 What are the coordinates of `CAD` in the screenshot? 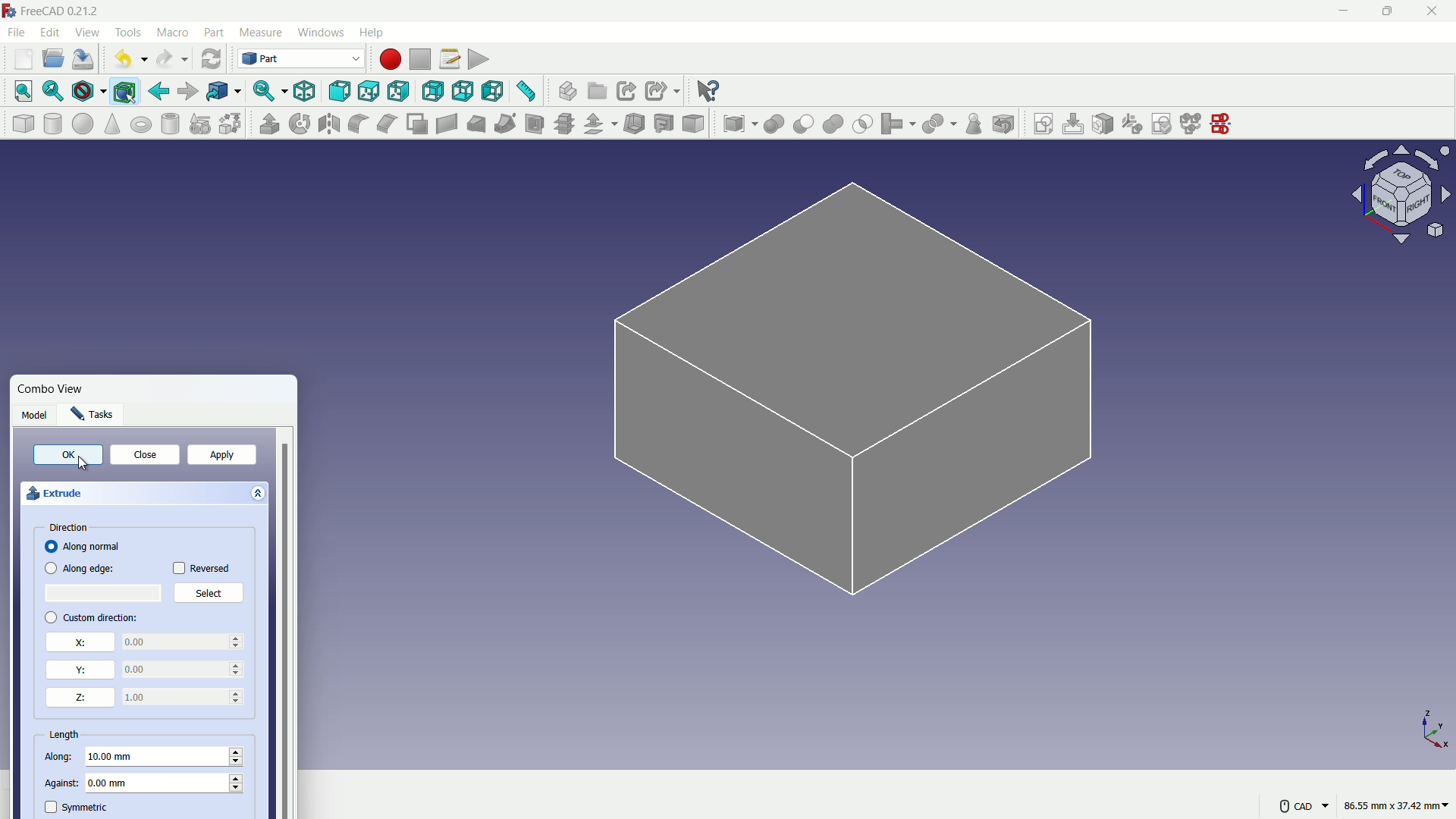 It's located at (1304, 805).